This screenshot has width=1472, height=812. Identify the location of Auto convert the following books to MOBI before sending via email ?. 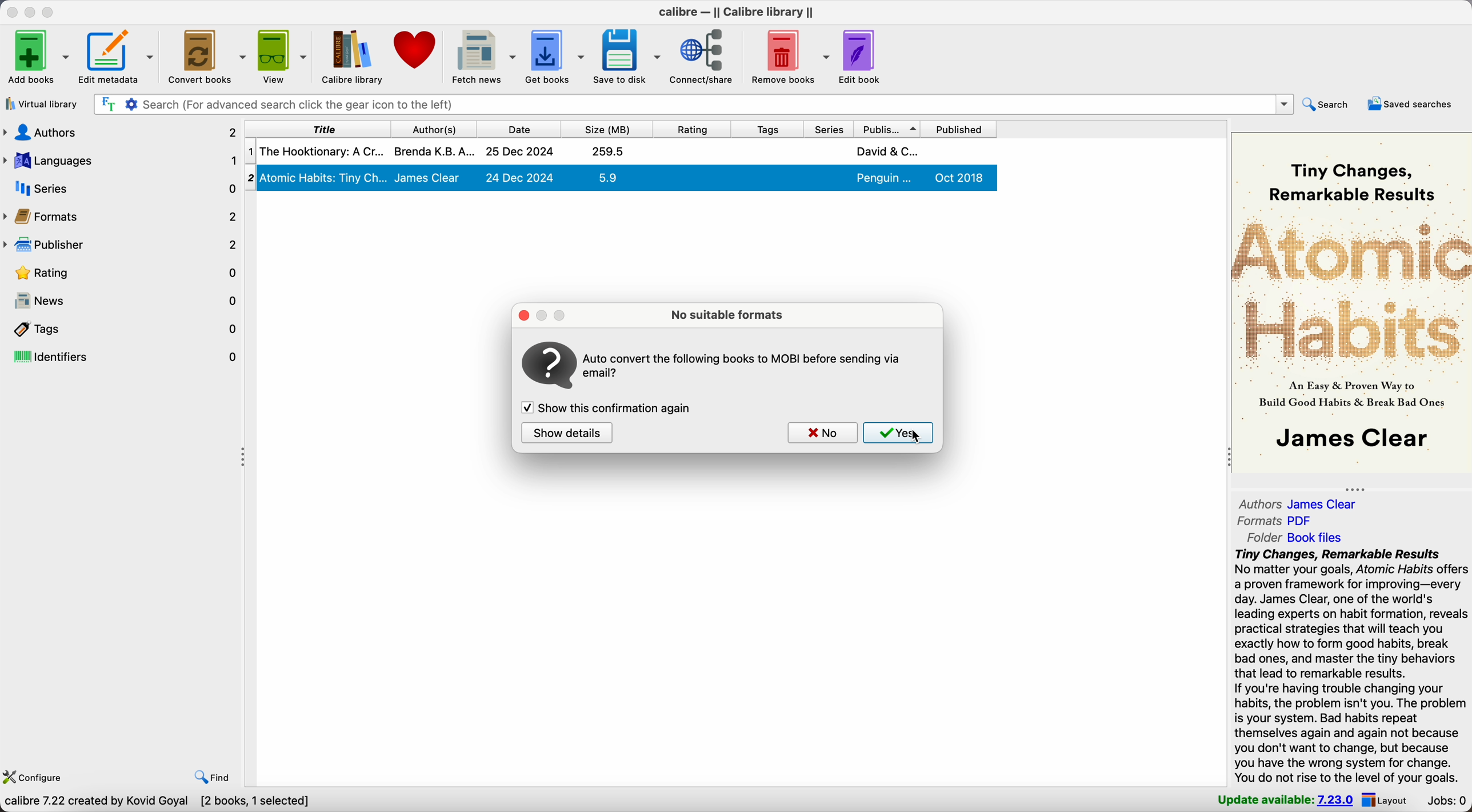
(746, 363).